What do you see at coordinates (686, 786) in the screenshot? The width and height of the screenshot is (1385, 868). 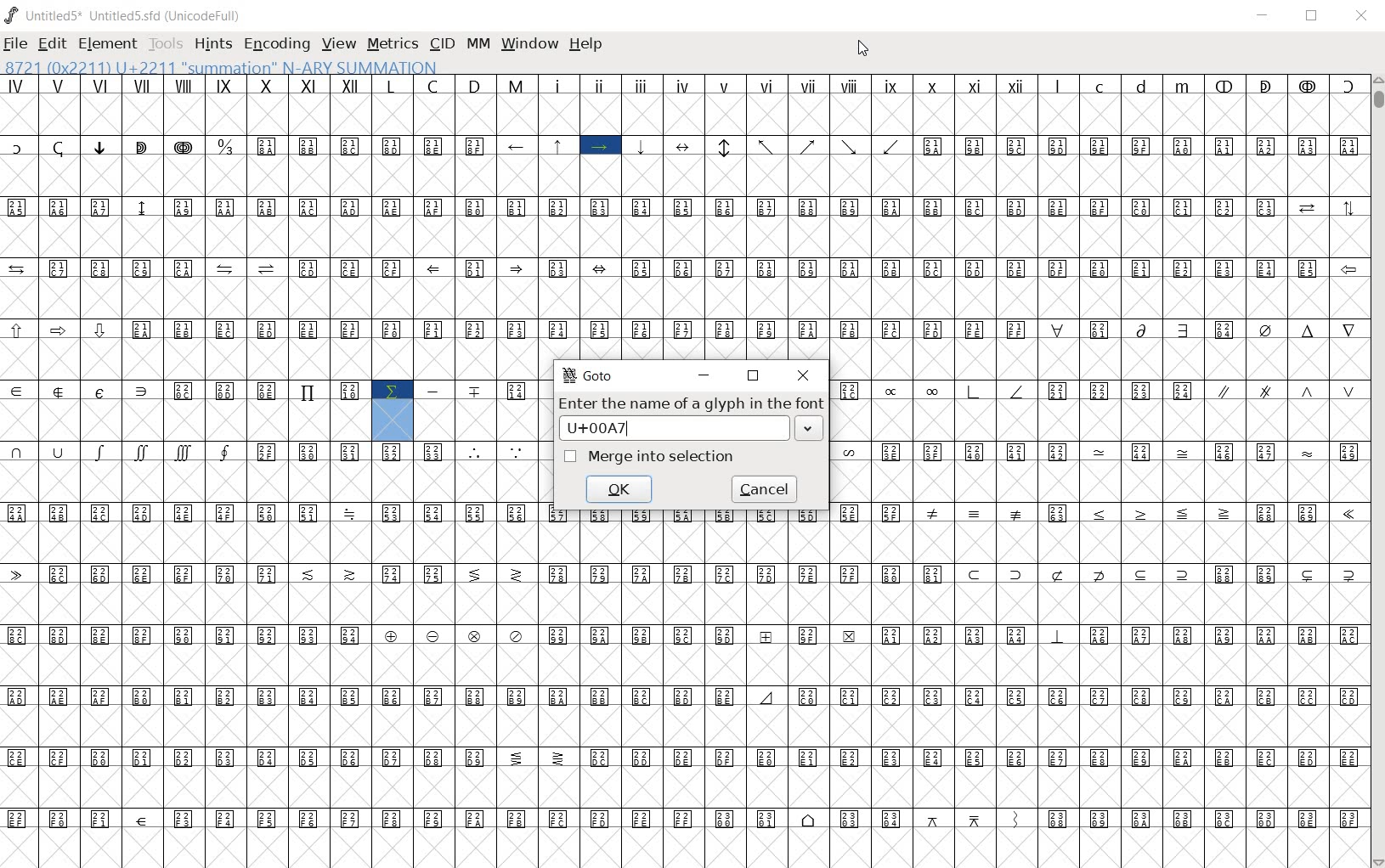 I see `empty cells` at bounding box center [686, 786].